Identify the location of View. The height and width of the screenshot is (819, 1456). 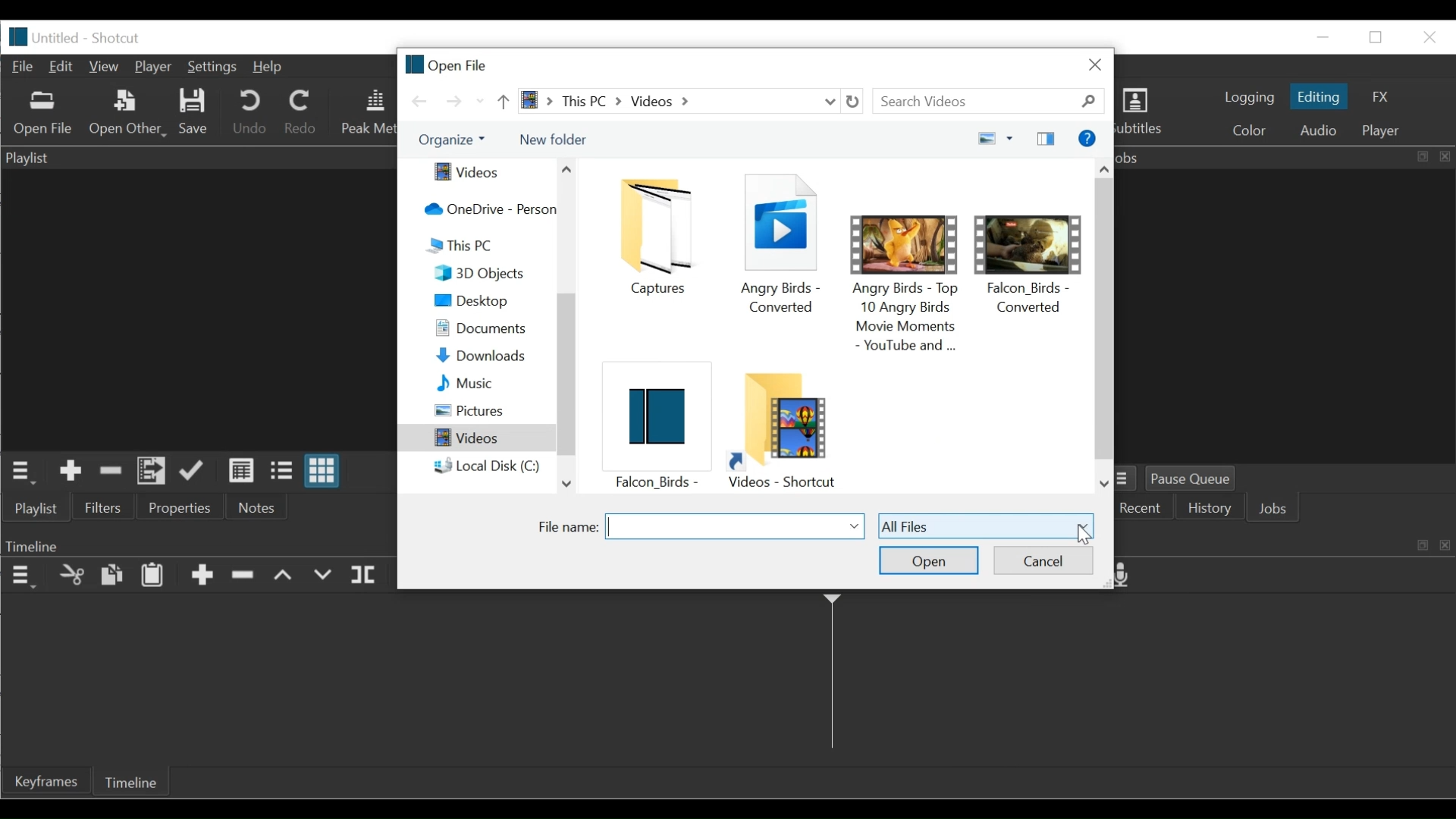
(106, 67).